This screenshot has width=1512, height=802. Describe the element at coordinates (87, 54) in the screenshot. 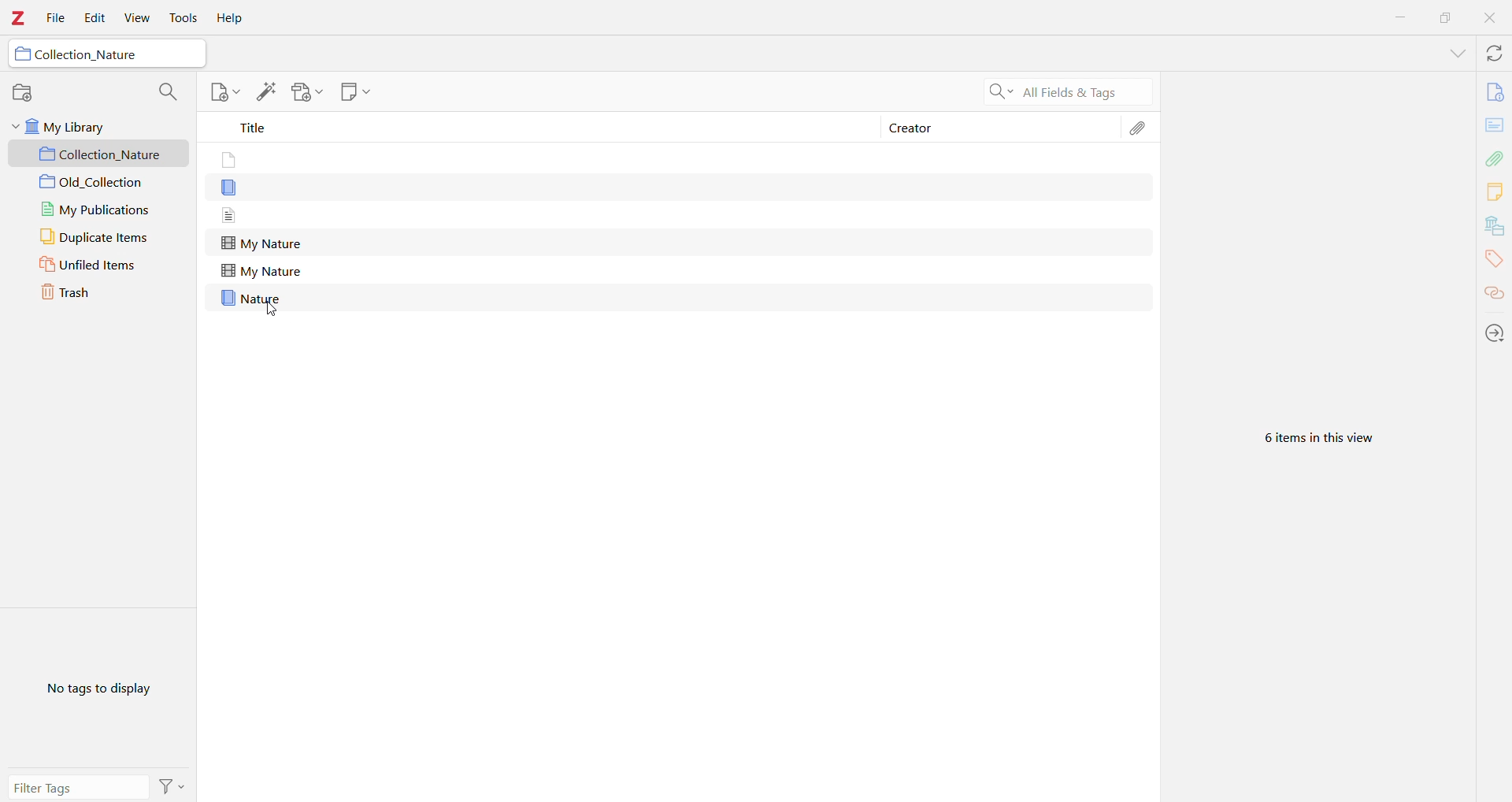

I see `Collection_Nature` at that location.